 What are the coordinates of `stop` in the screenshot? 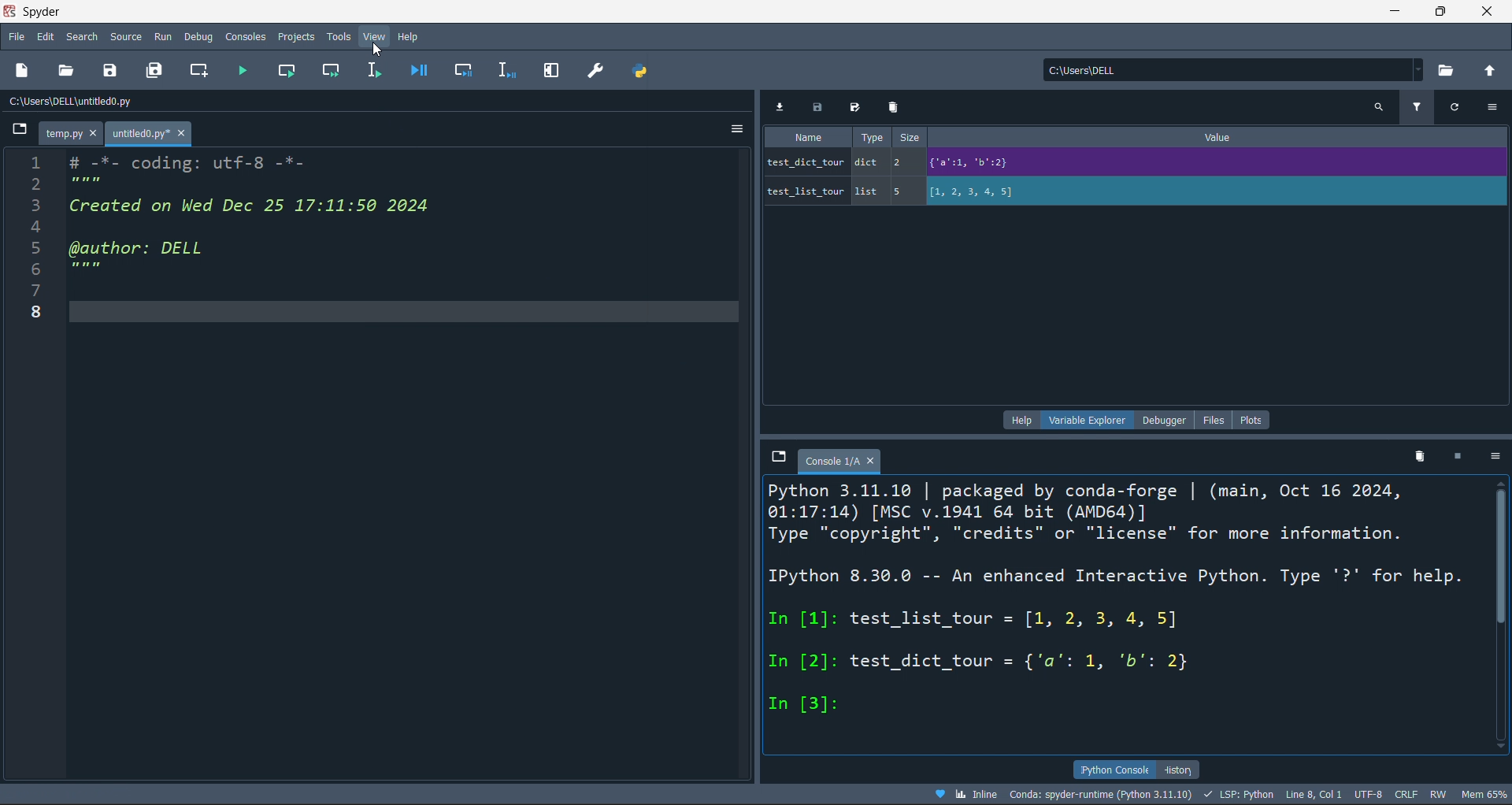 It's located at (1464, 456).